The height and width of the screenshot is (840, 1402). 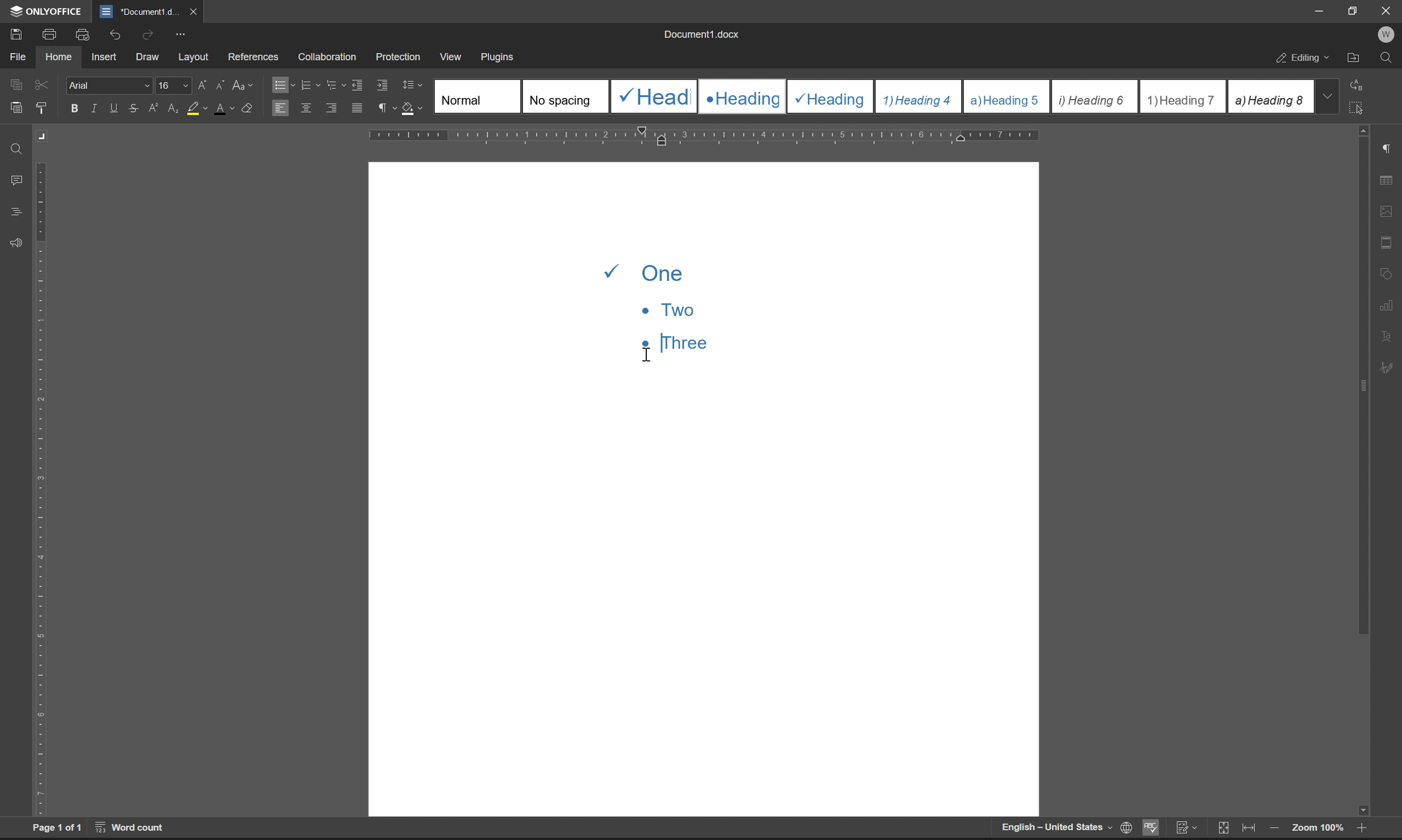 What do you see at coordinates (1320, 11) in the screenshot?
I see `minimize` at bounding box center [1320, 11].